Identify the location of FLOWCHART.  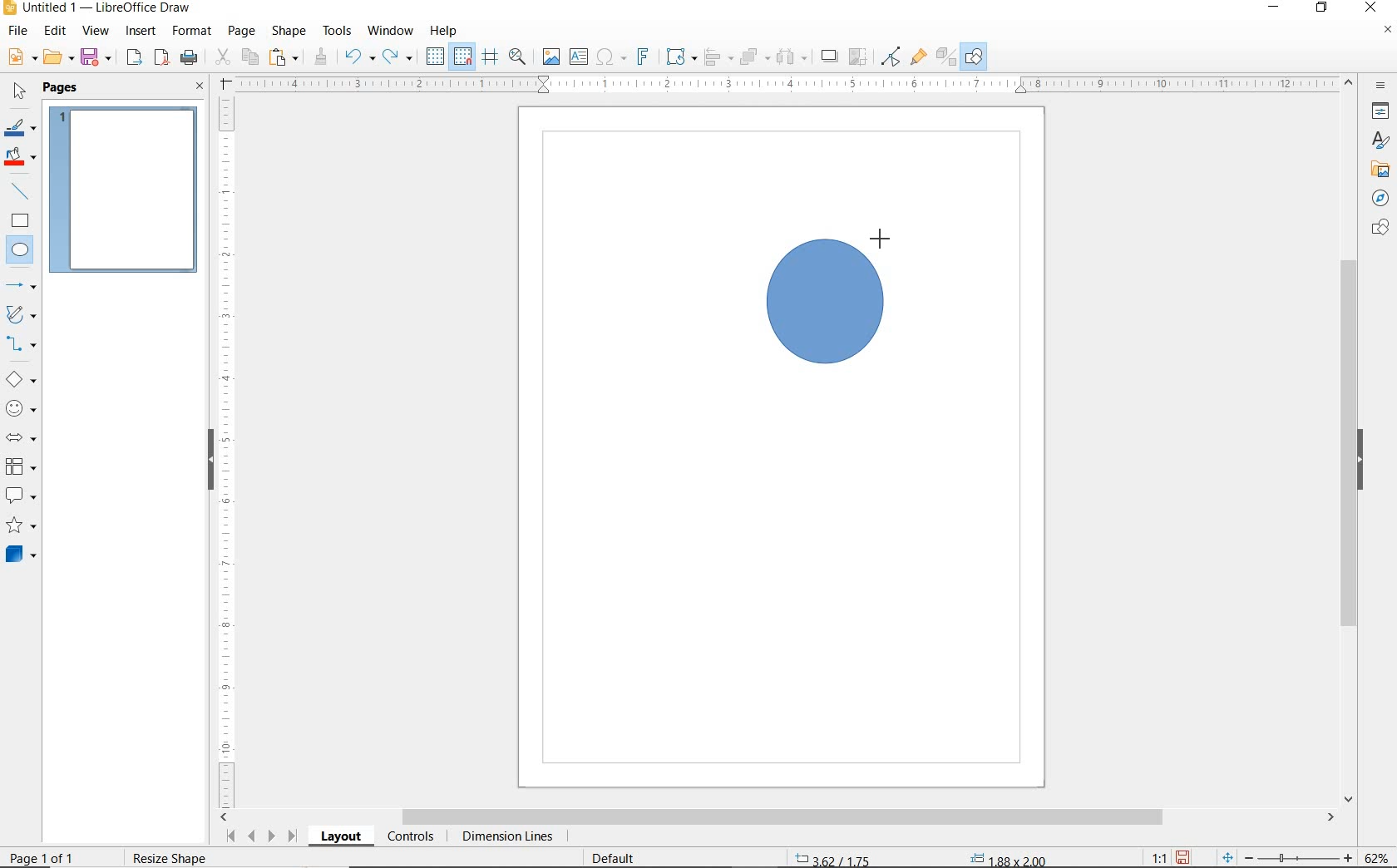
(20, 467).